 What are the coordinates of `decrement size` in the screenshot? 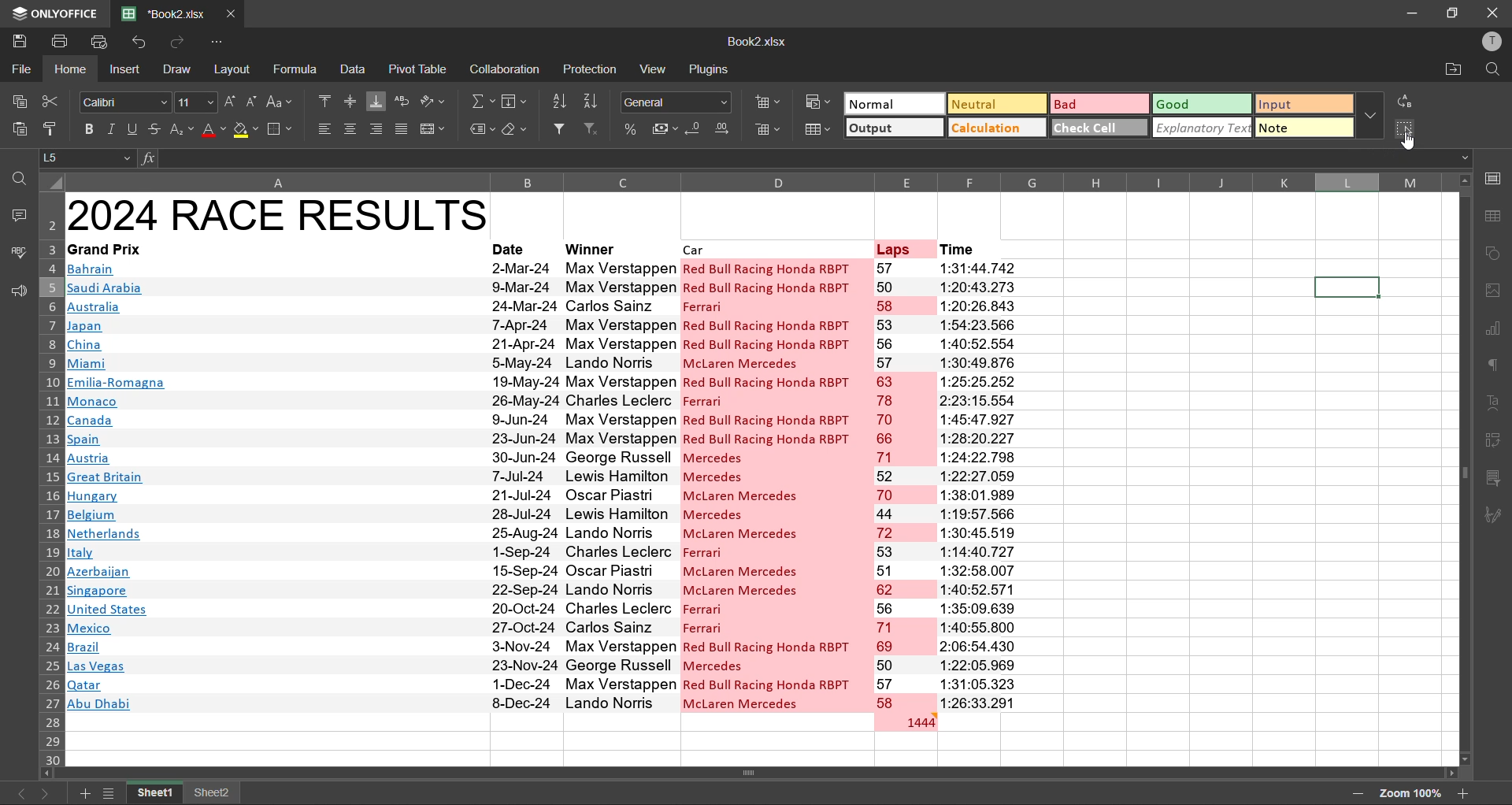 It's located at (250, 102).